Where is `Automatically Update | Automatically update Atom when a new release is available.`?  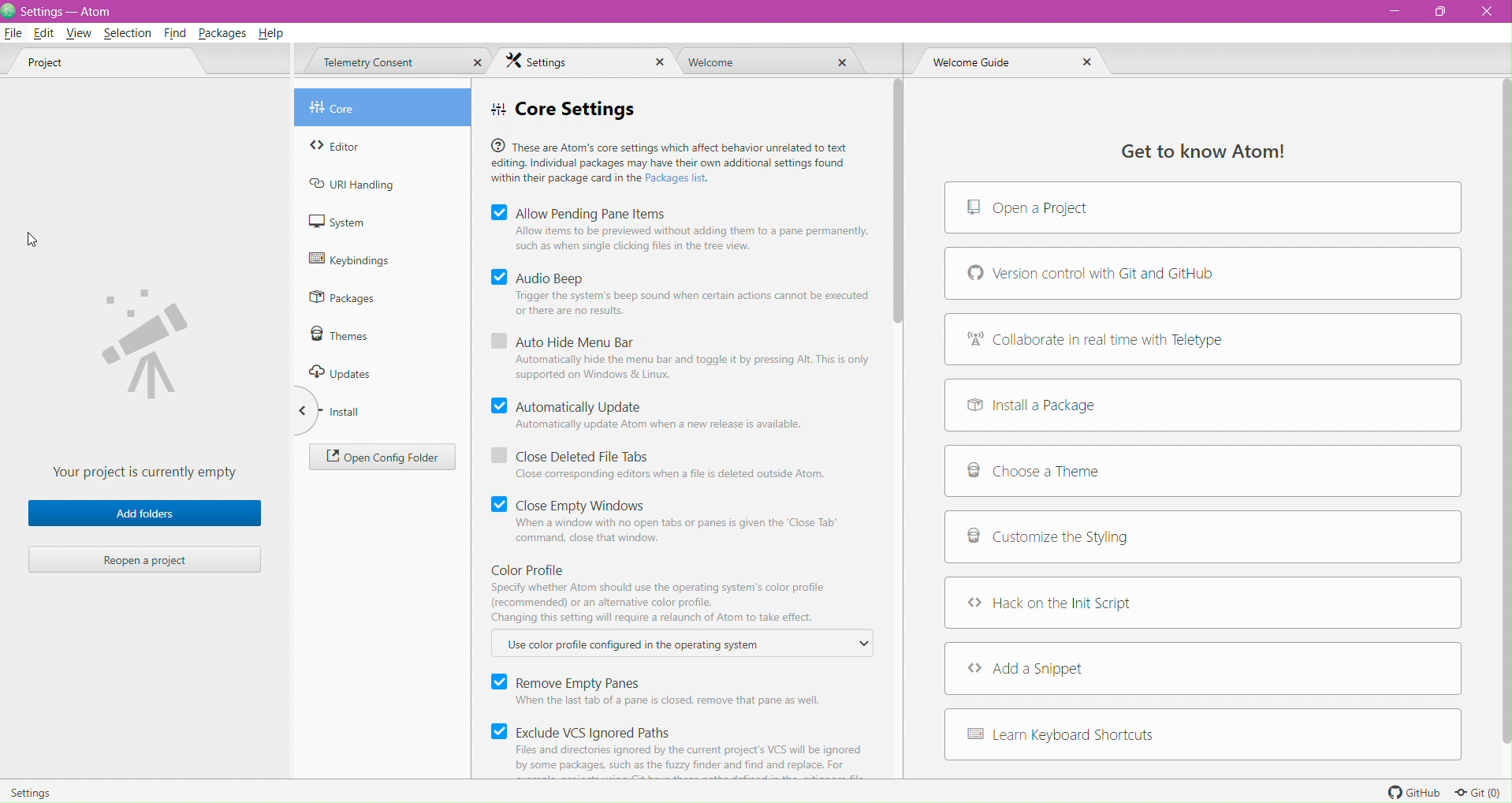 Automatically Update | Automatically update Atom when a new release is available. is located at coordinates (650, 414).